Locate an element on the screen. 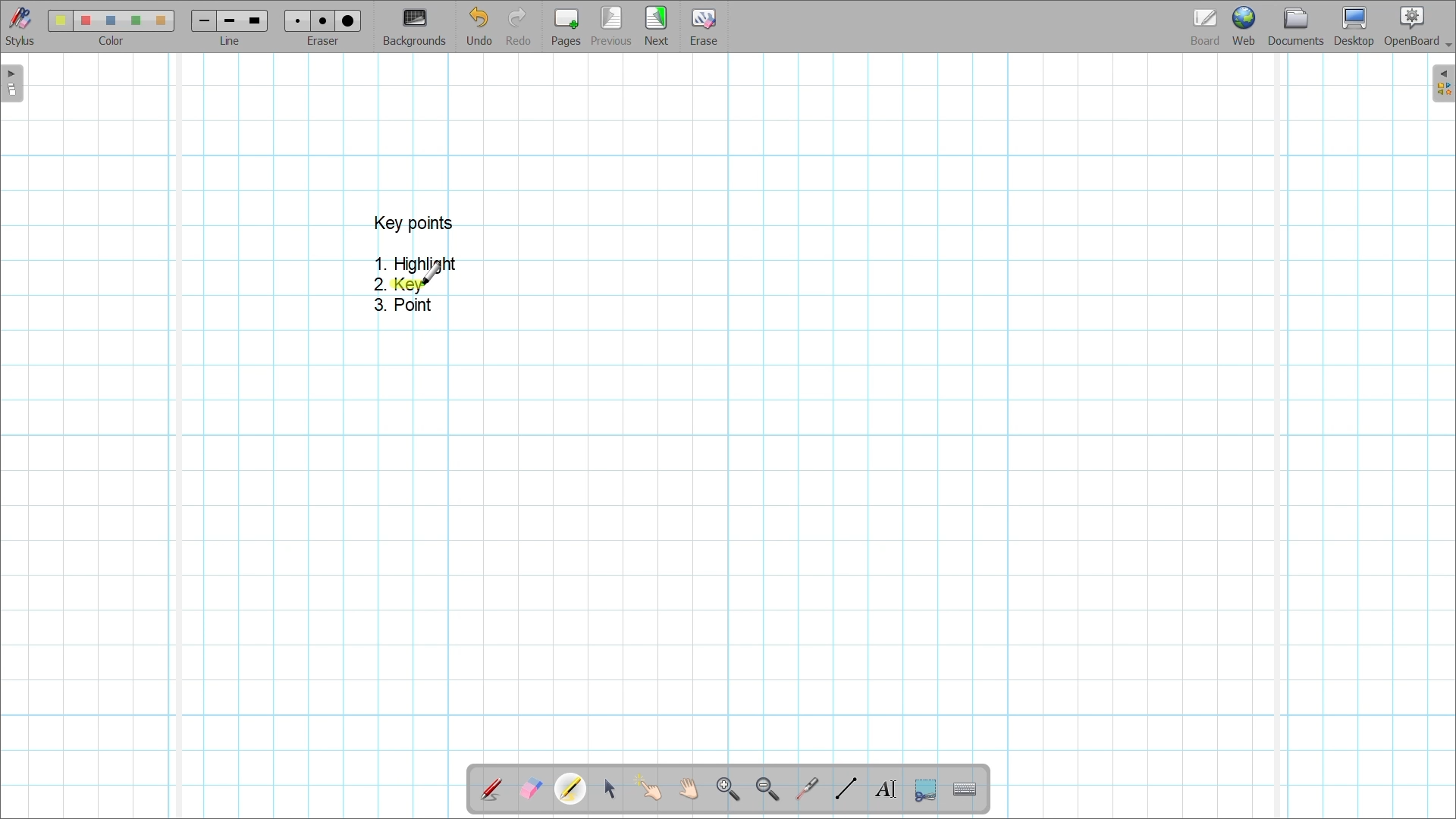  line 2 is located at coordinates (227, 21).